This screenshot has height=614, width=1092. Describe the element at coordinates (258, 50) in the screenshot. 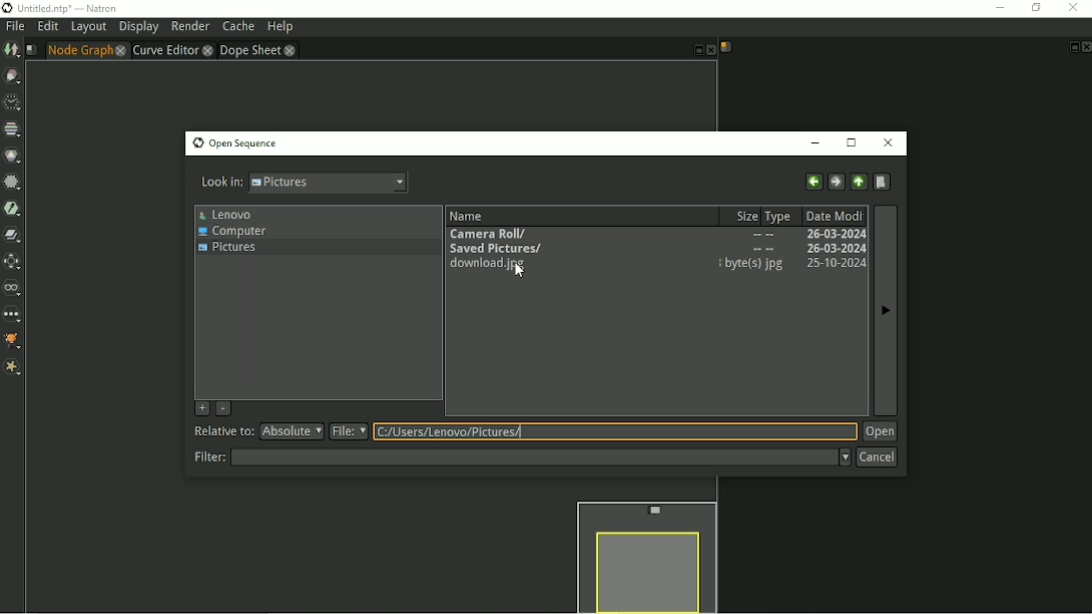

I see `Dope sheet` at that location.